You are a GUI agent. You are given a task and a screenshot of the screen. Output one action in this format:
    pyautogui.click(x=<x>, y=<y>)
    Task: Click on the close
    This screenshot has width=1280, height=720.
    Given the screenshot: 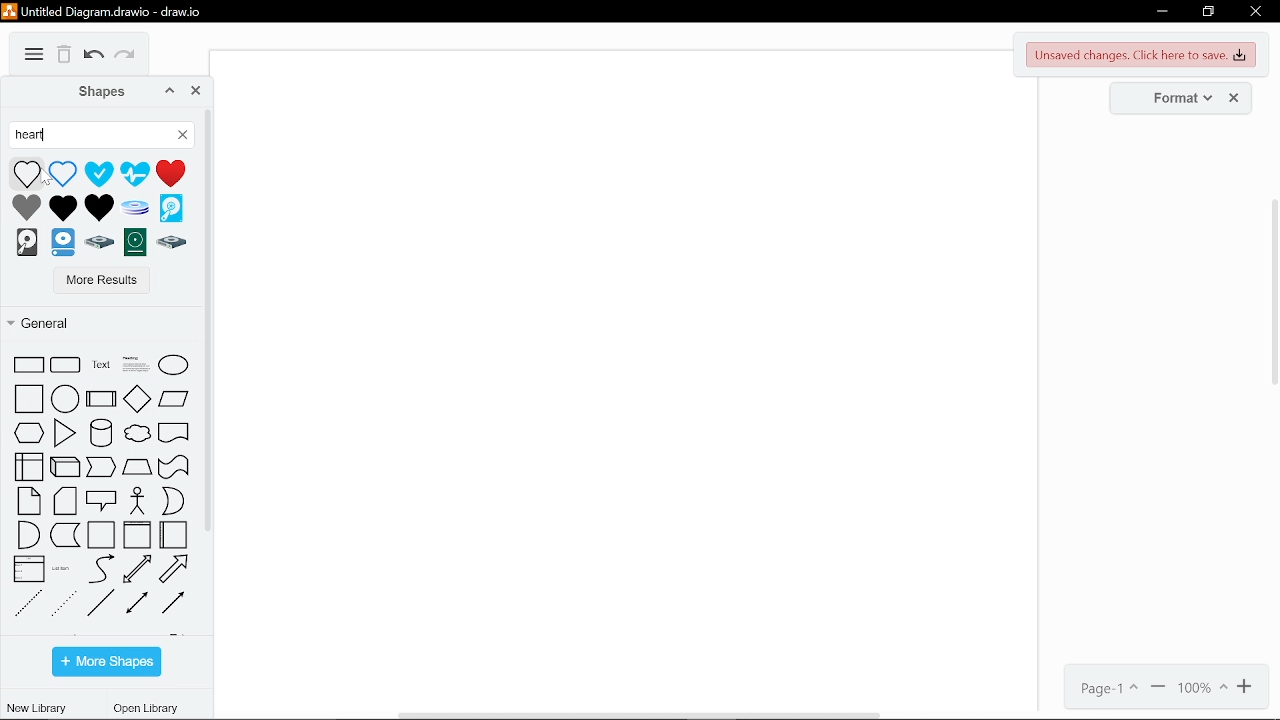 What is the action you would take?
    pyautogui.click(x=1256, y=14)
    